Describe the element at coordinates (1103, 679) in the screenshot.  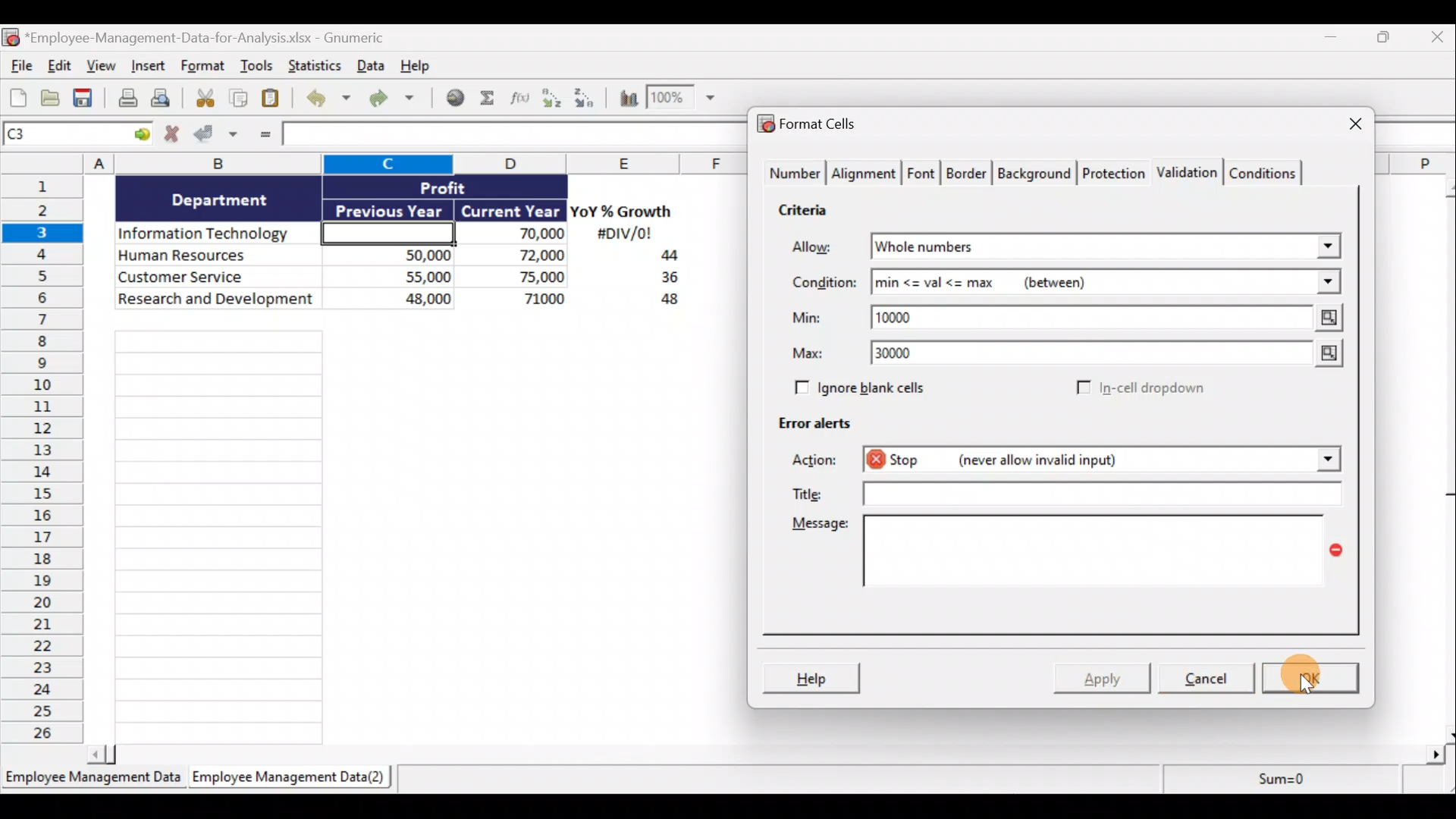
I see `Apply` at that location.